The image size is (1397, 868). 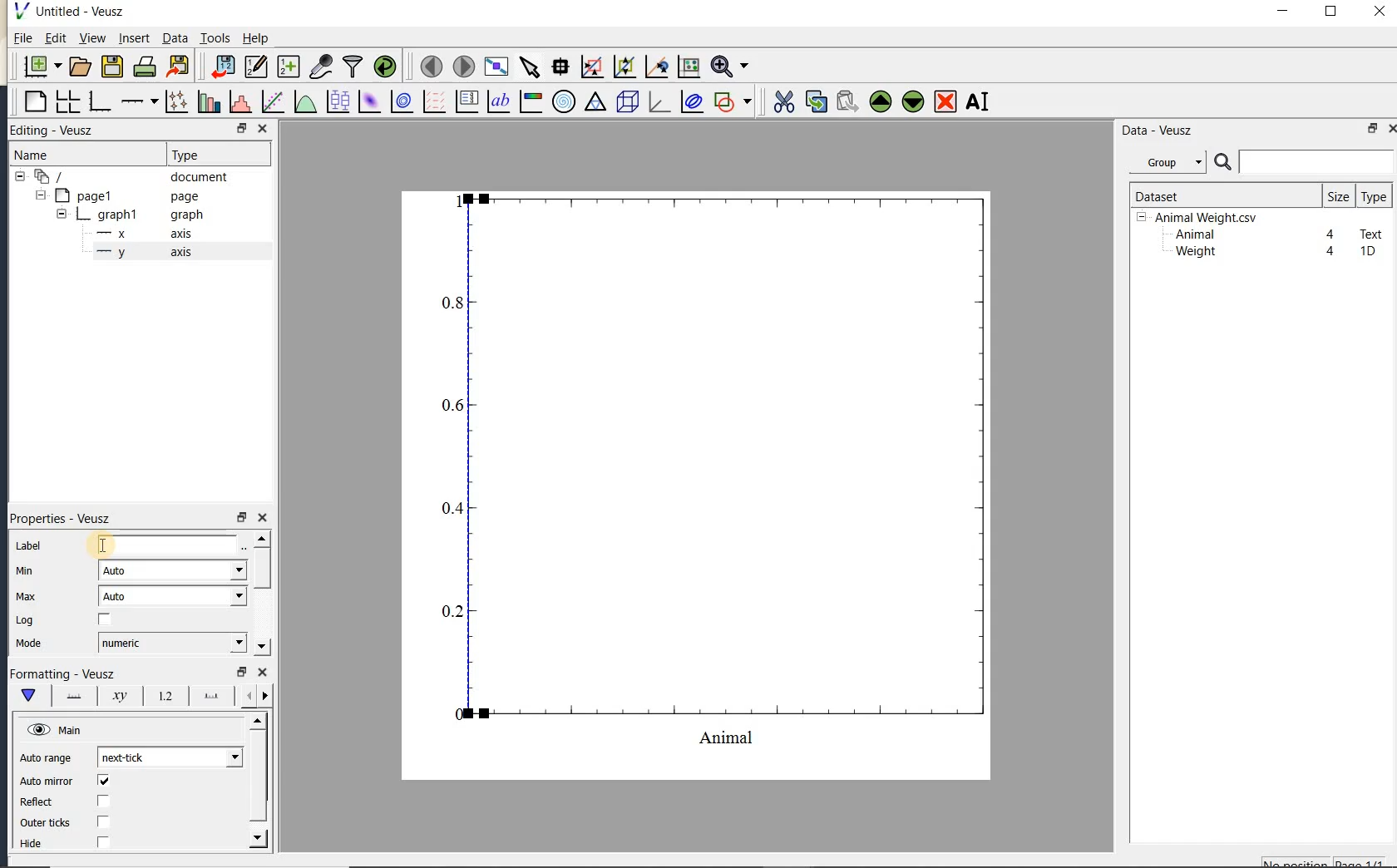 I want to click on hide, so click(x=41, y=844).